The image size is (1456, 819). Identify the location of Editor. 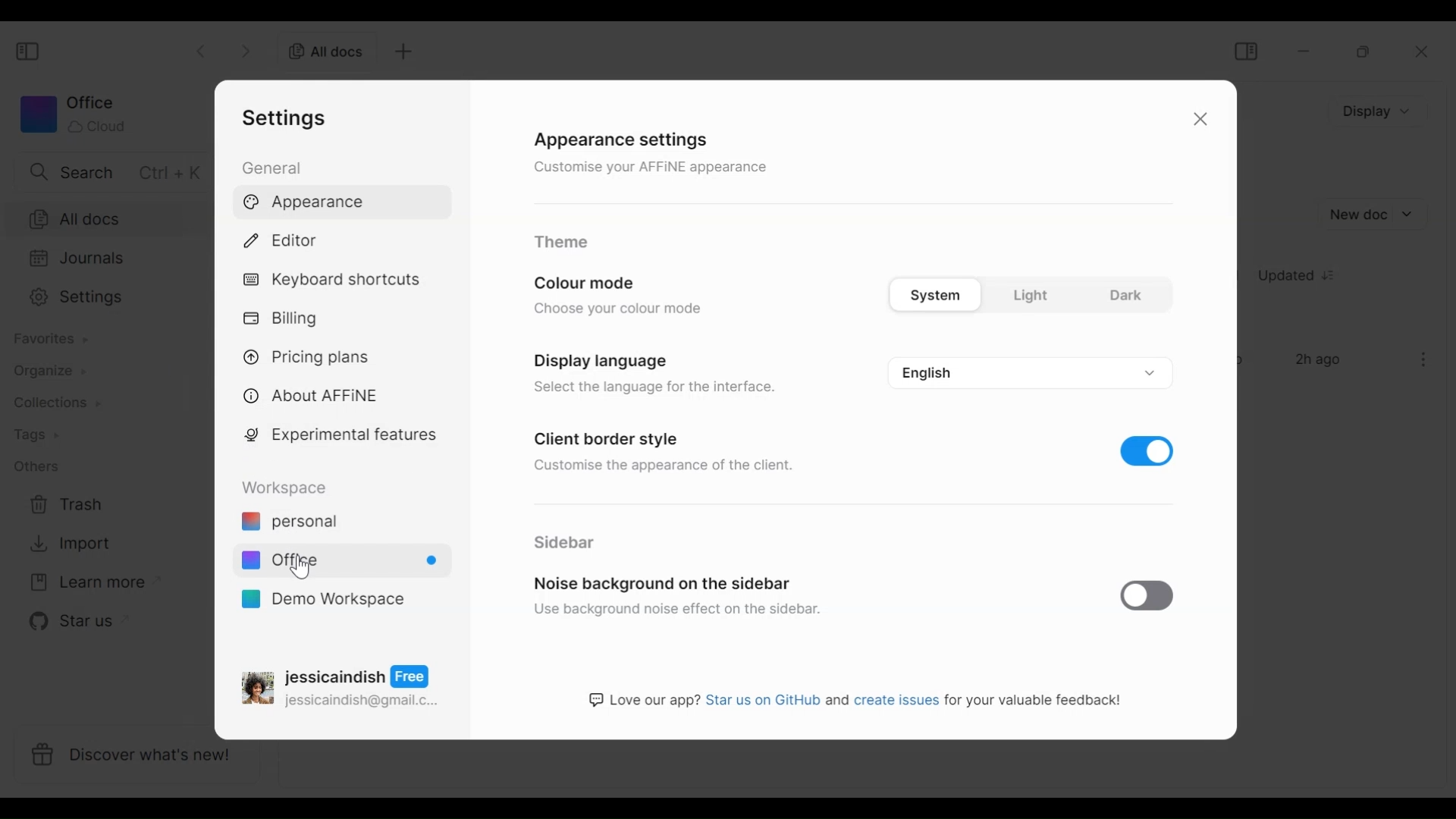
(287, 238).